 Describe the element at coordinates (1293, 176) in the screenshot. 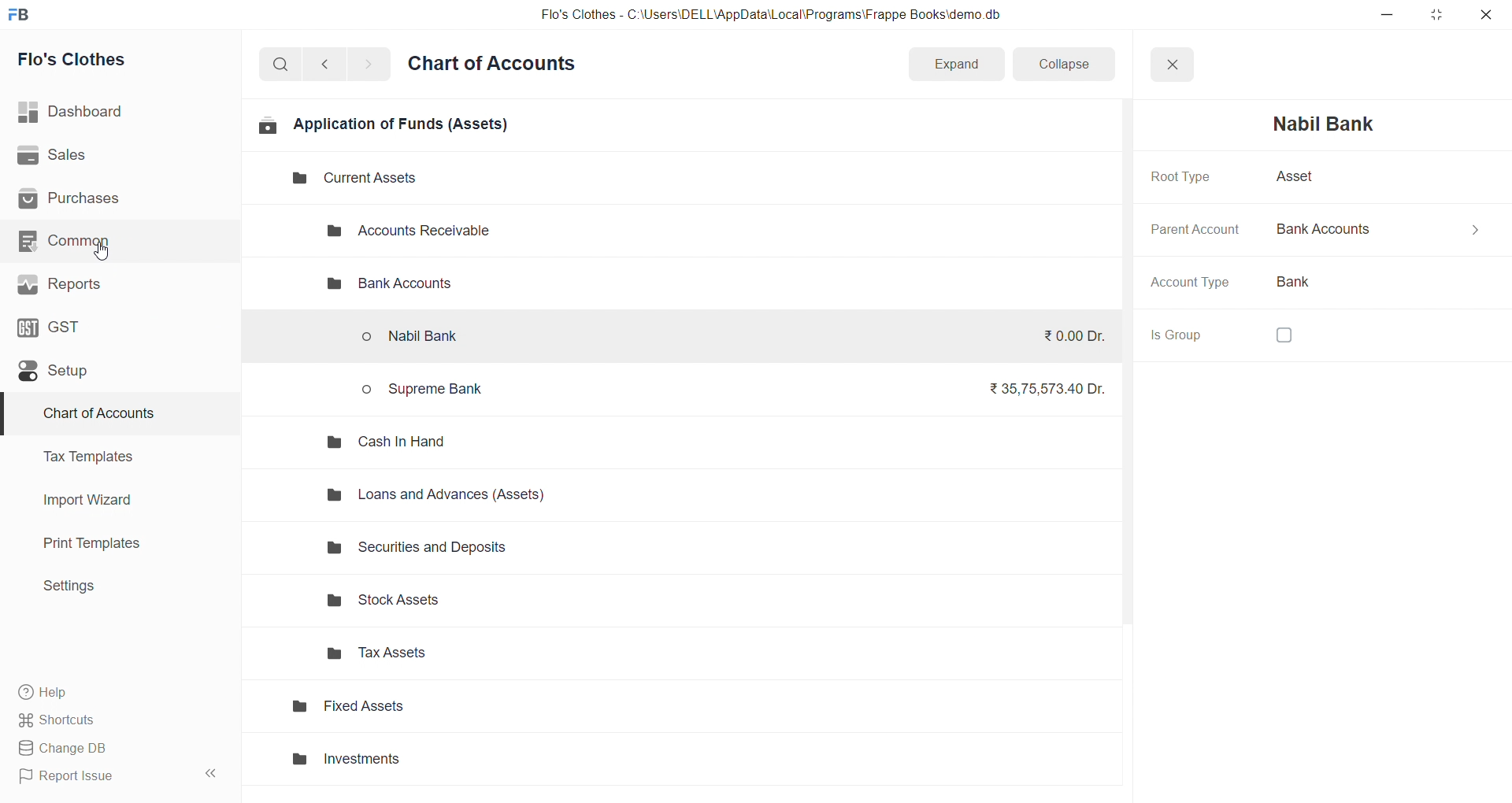

I see `Asset` at that location.